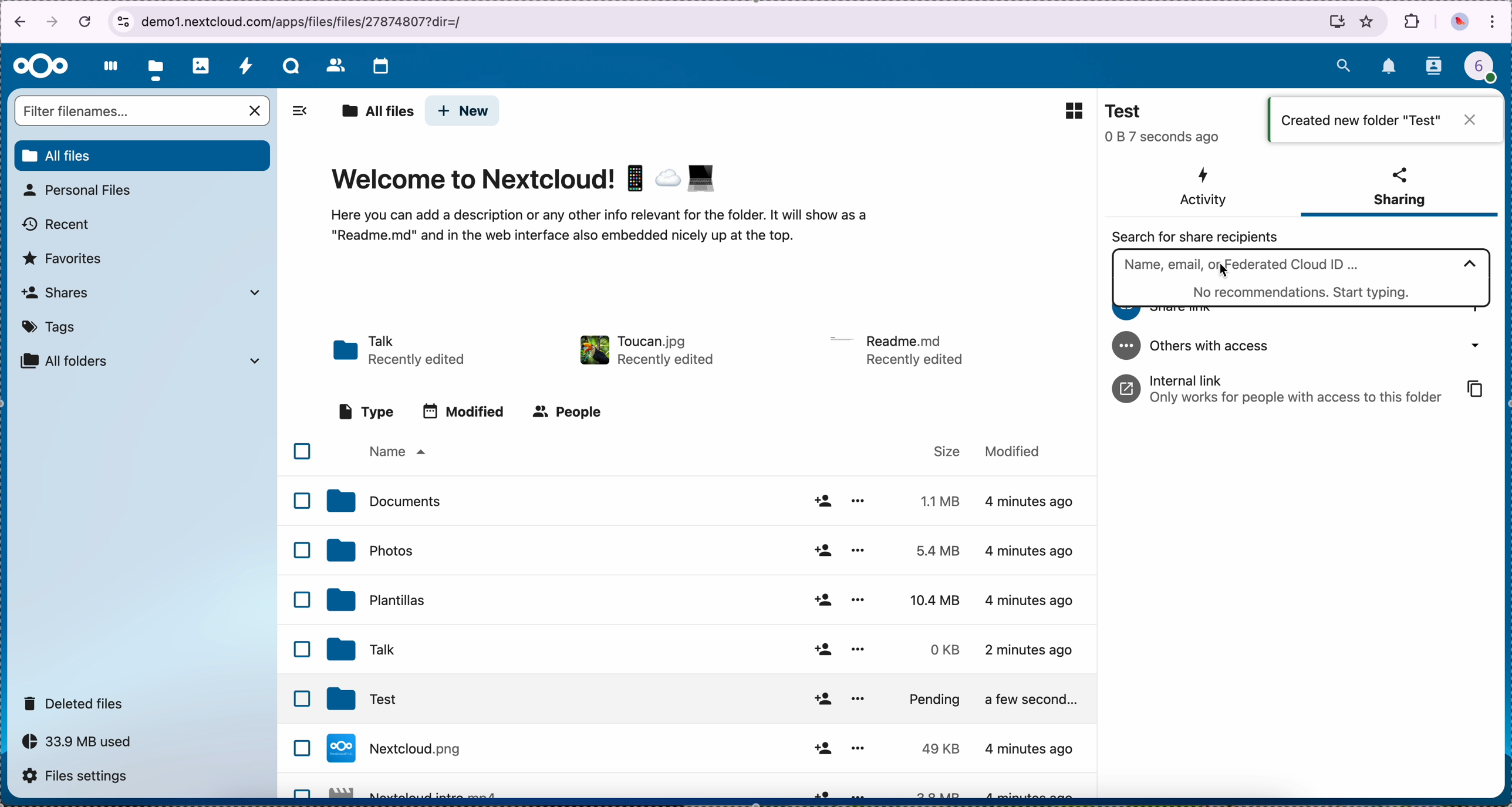 The image size is (1512, 807). What do you see at coordinates (123, 22) in the screenshot?
I see `view site information` at bounding box center [123, 22].